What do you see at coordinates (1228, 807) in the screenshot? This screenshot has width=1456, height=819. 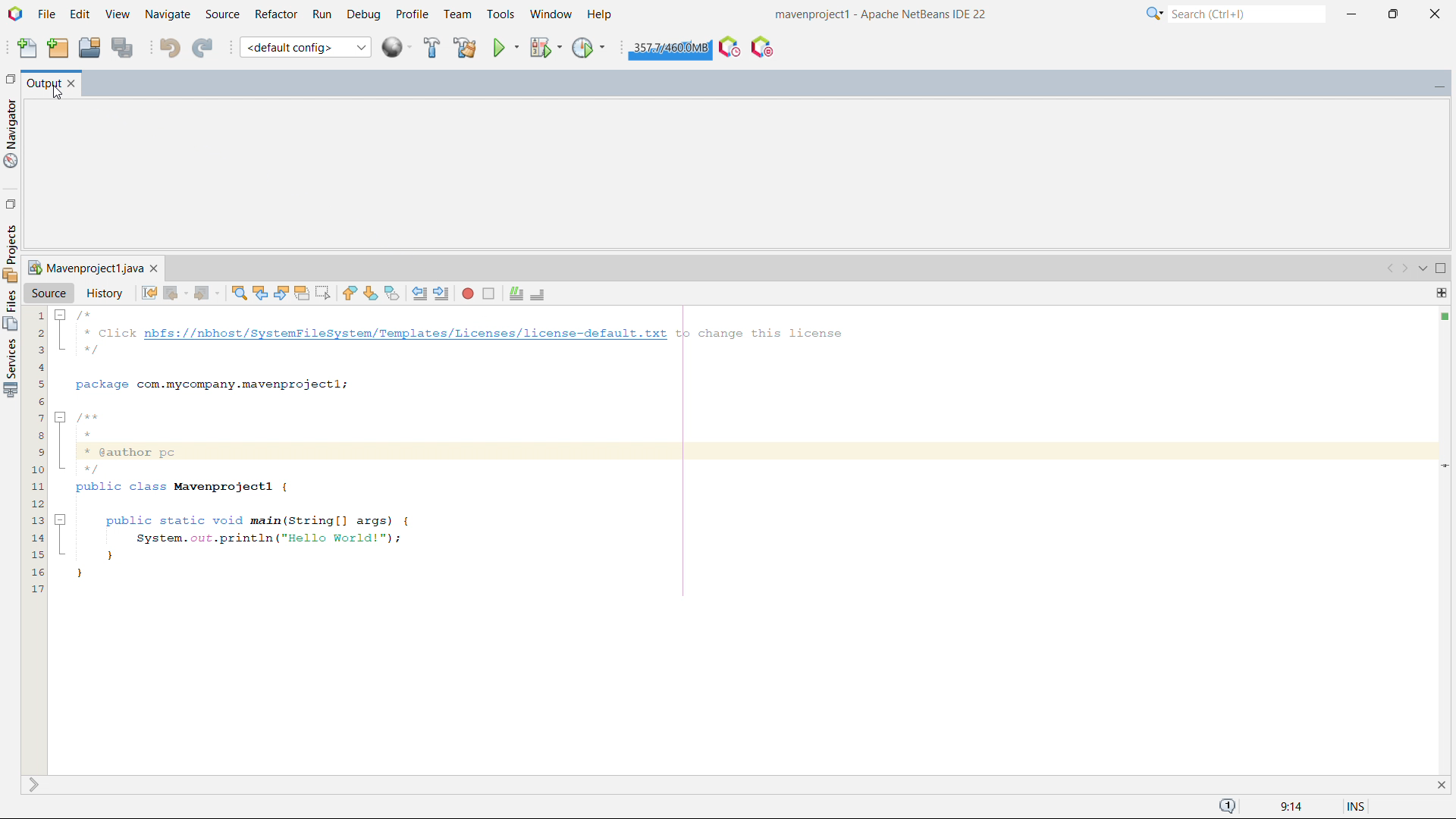 I see `notification` at bounding box center [1228, 807].